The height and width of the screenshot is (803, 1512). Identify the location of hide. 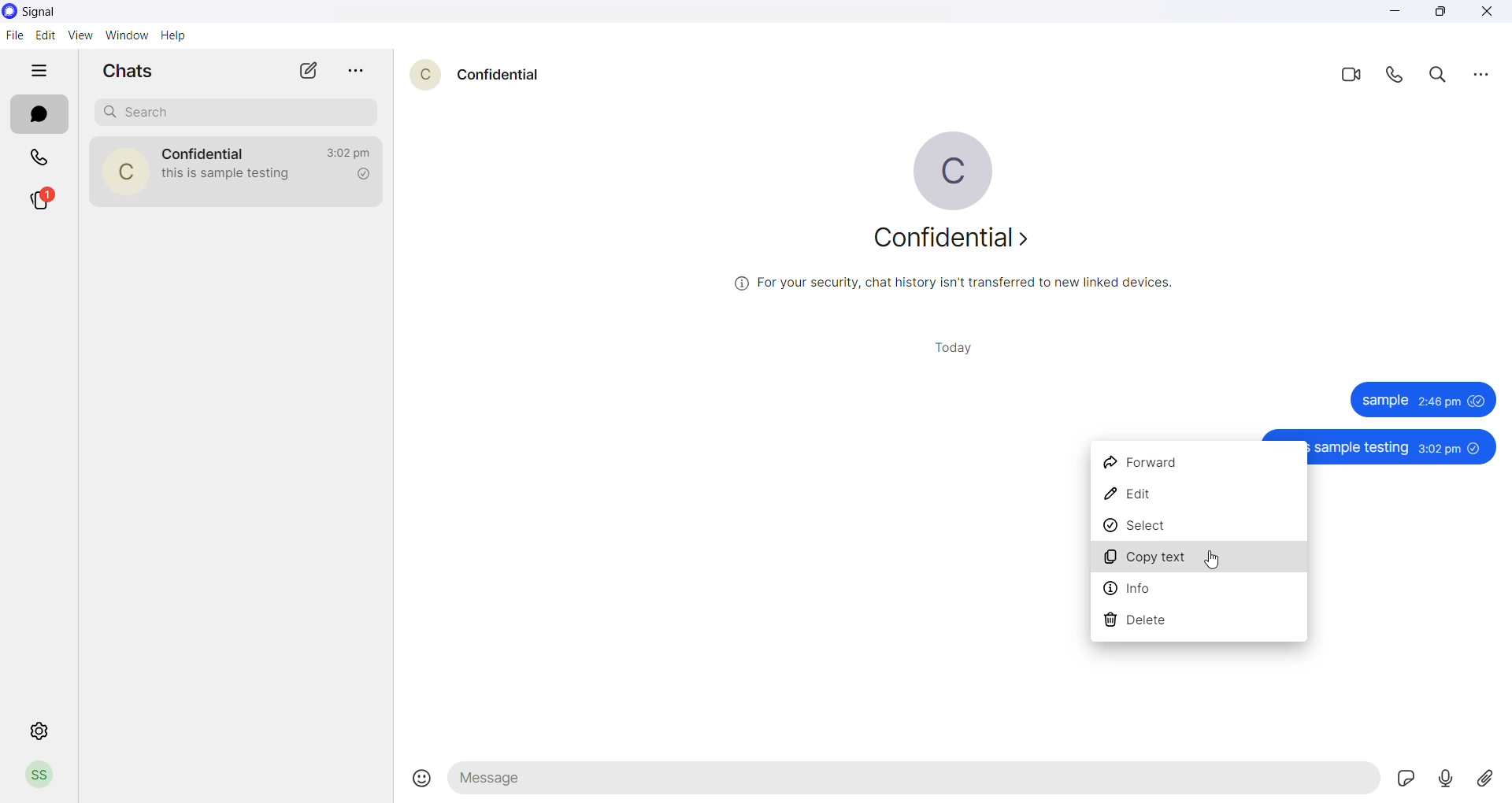
(41, 68).